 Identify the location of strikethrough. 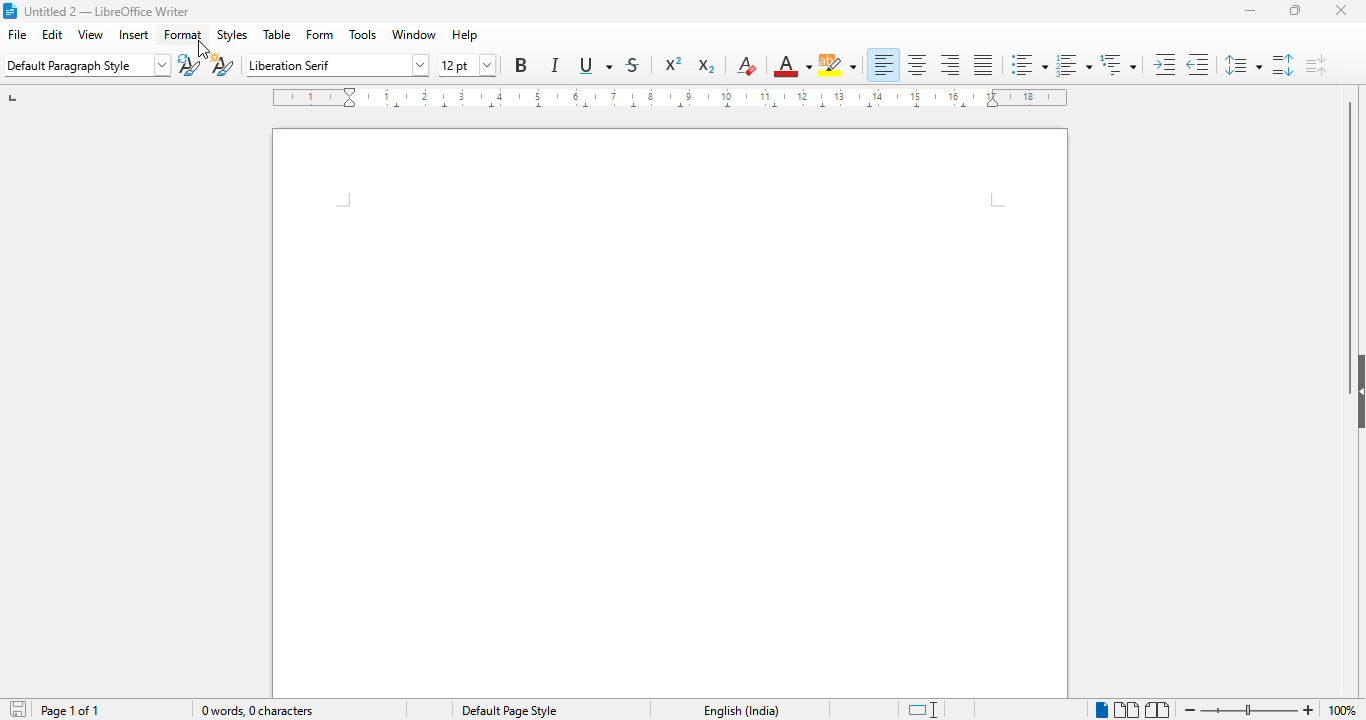
(632, 66).